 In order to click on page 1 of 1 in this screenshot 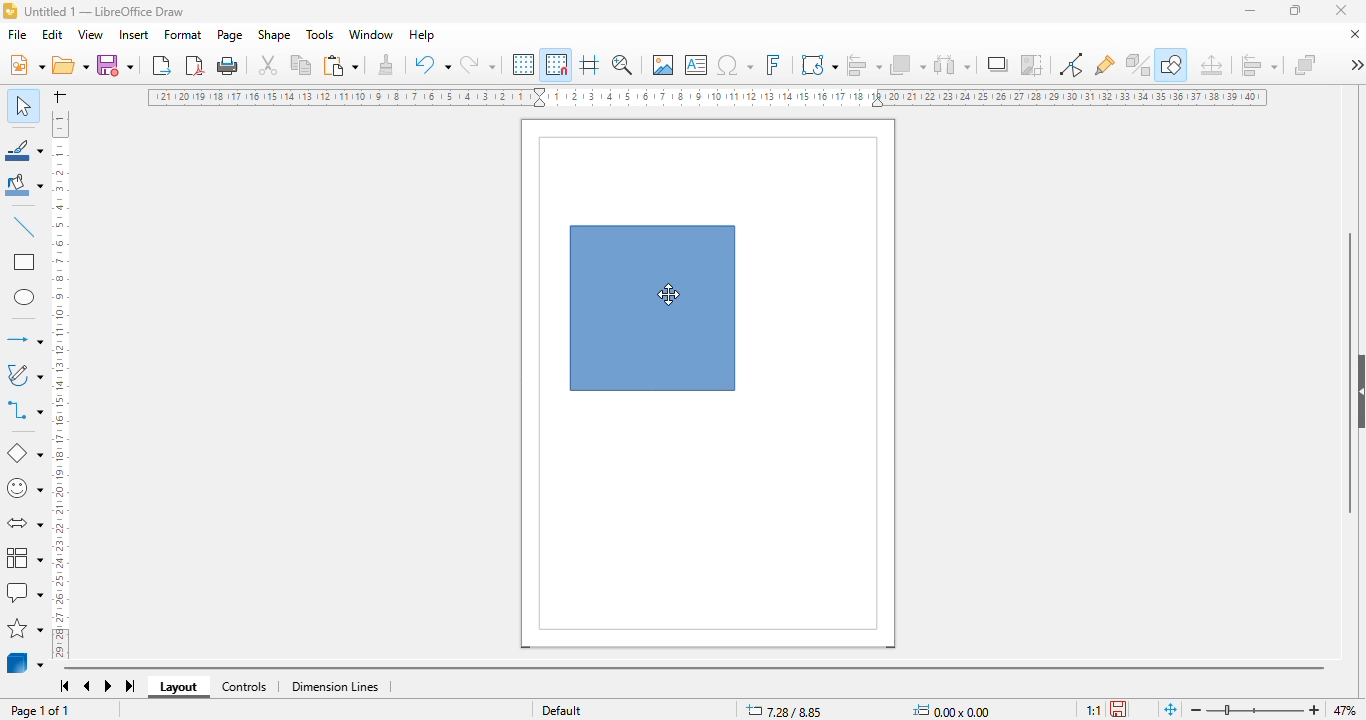, I will do `click(39, 710)`.